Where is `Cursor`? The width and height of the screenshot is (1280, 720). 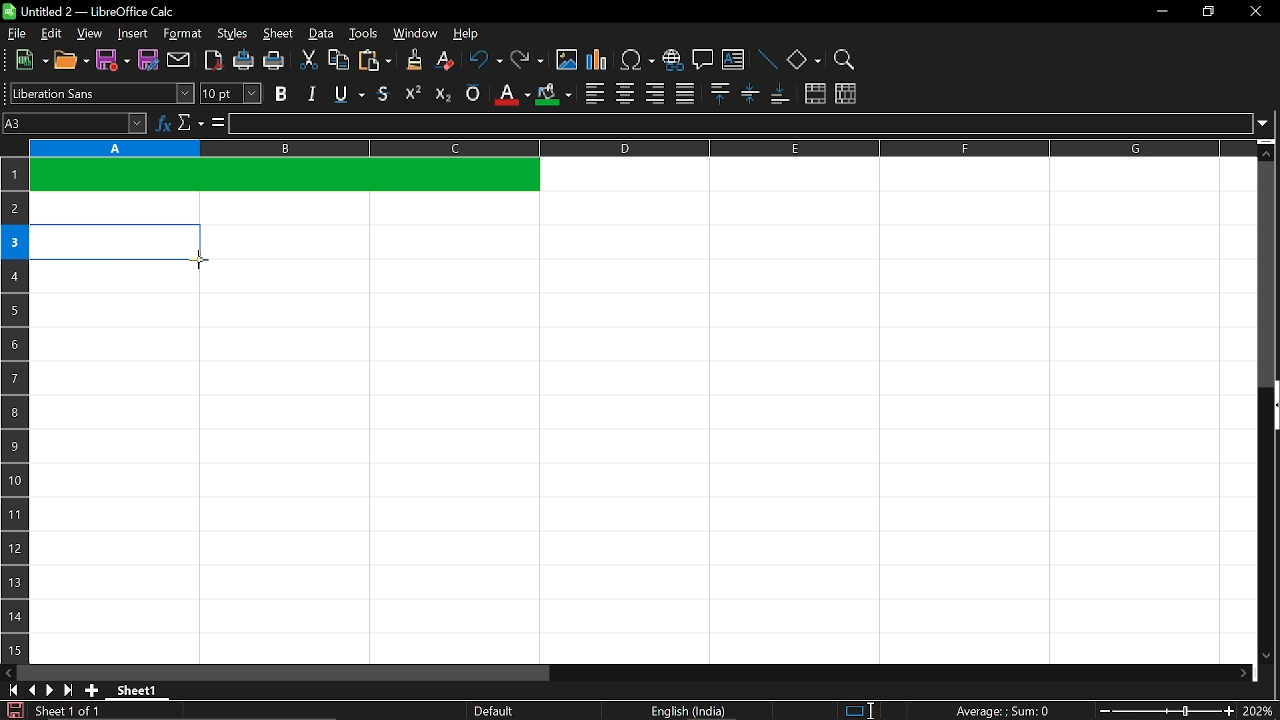
Cursor is located at coordinates (206, 265).